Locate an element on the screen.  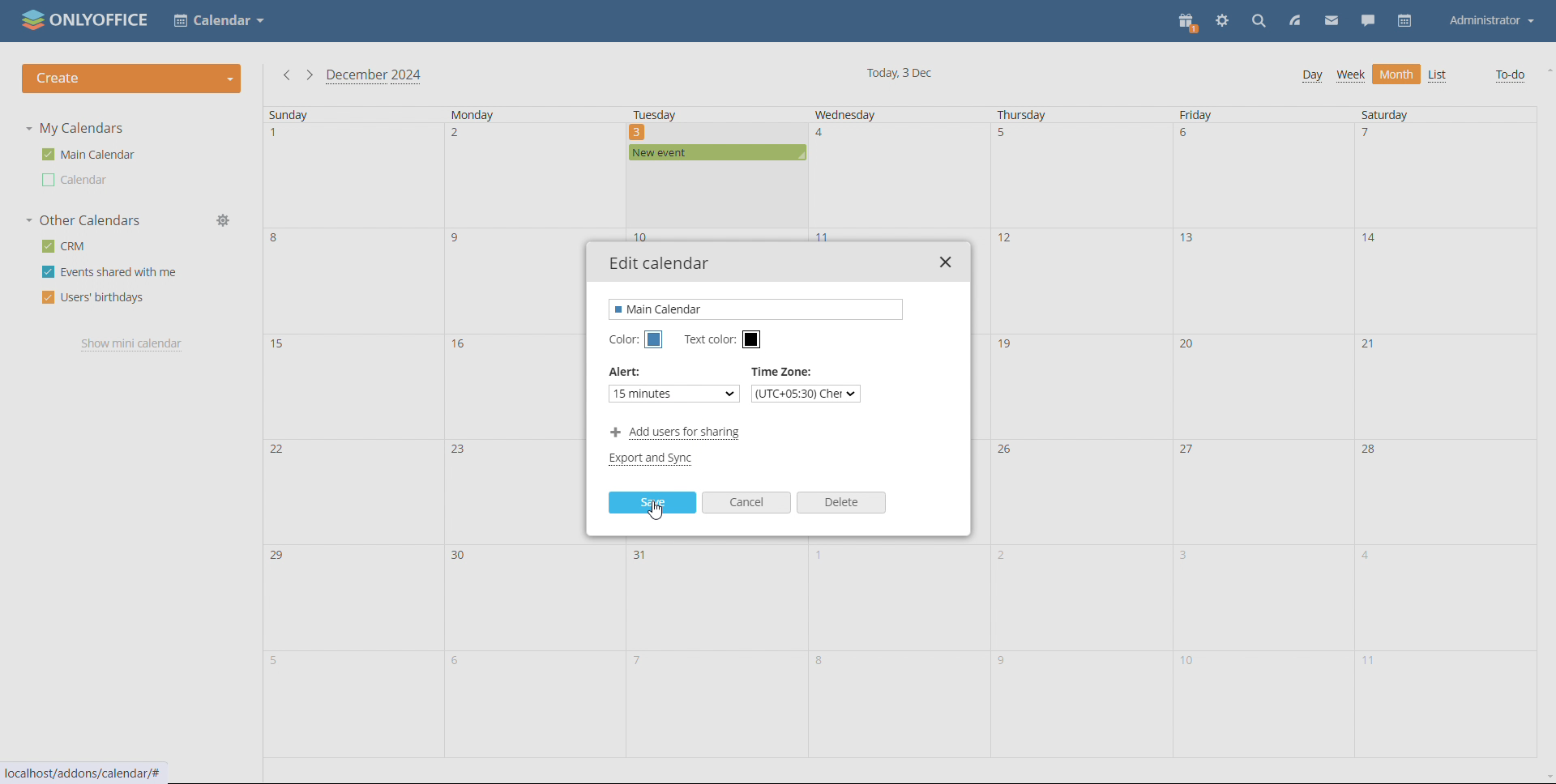
address is located at coordinates (85, 773).